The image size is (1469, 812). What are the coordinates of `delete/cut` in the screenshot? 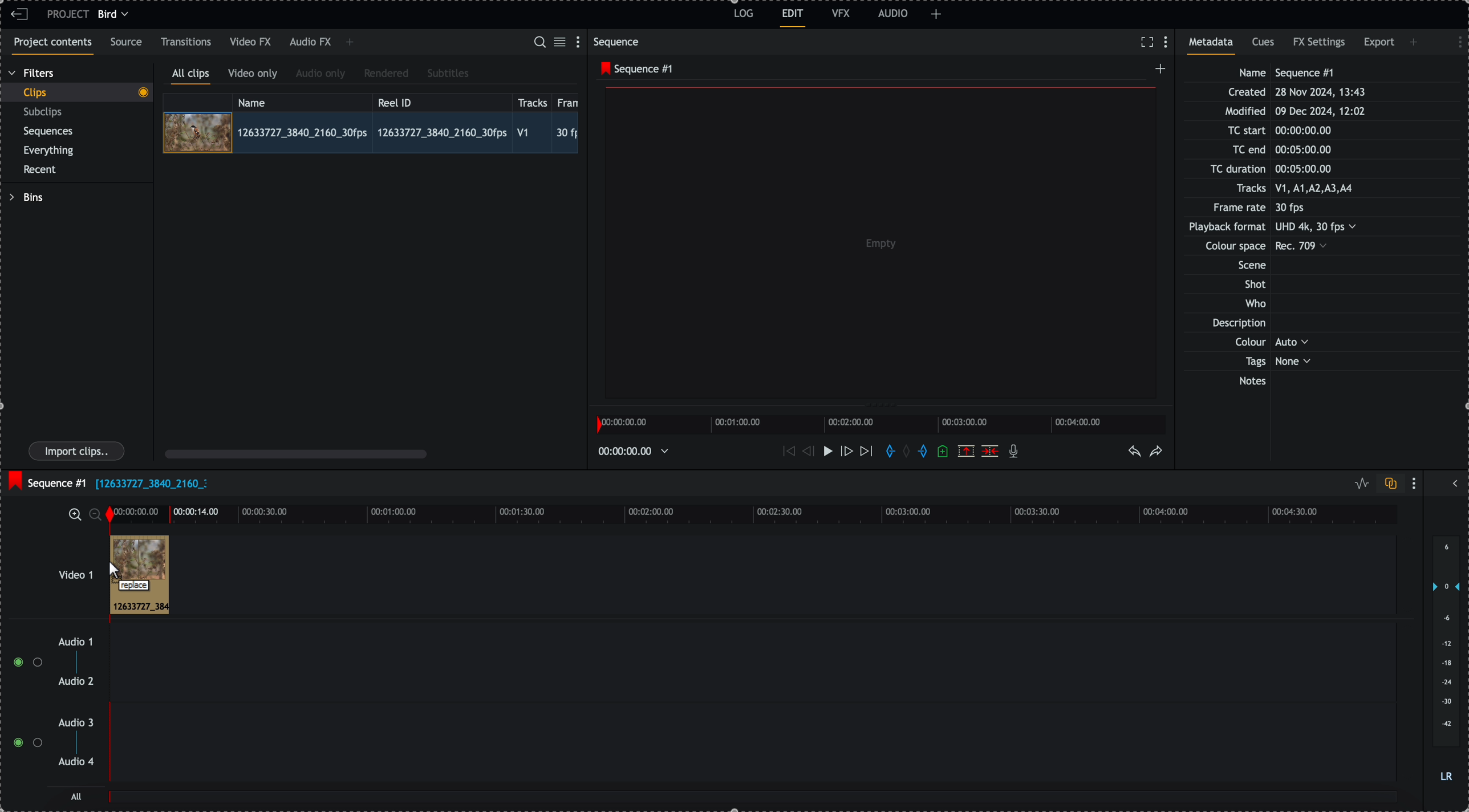 It's located at (990, 451).